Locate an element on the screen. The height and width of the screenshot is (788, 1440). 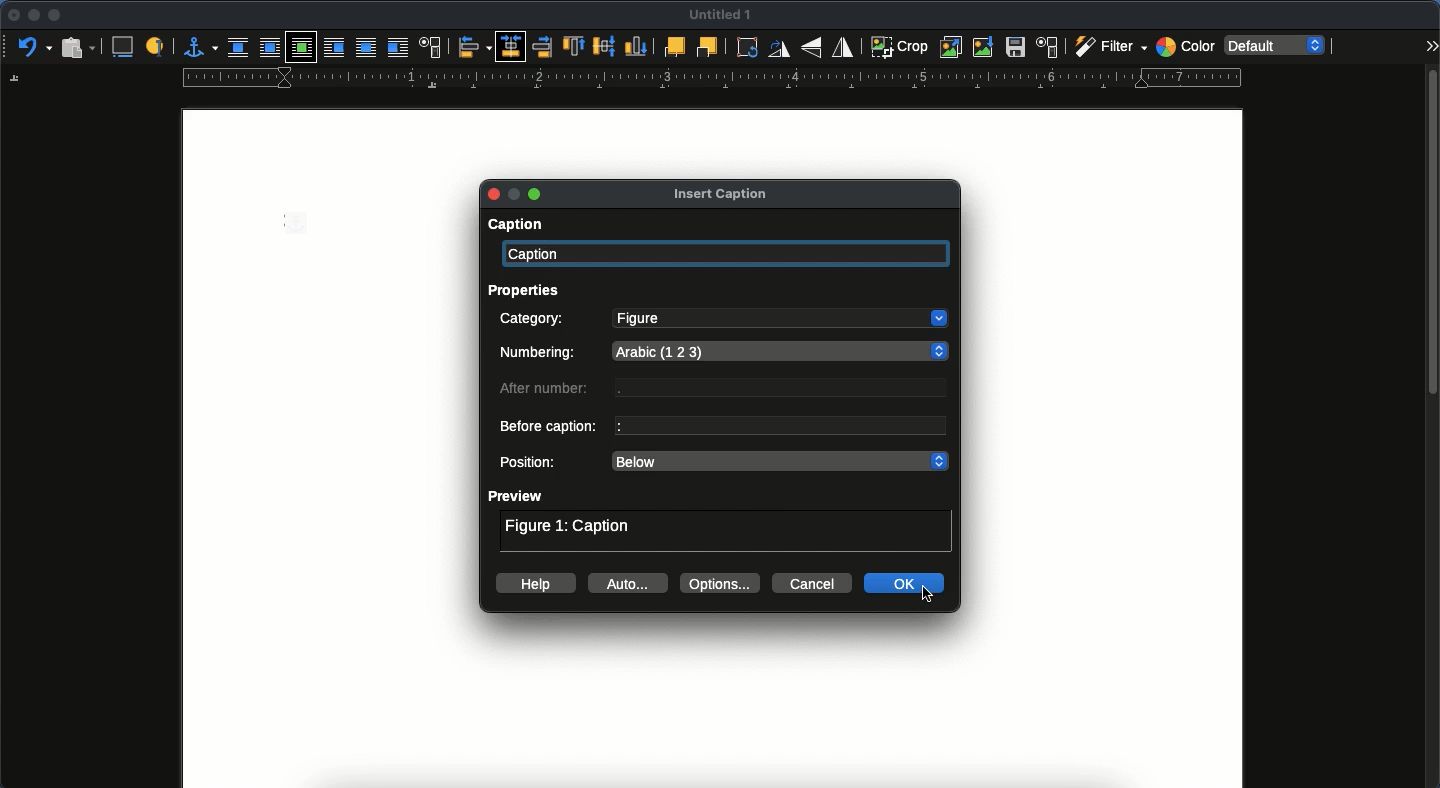
cancel is located at coordinates (813, 584).